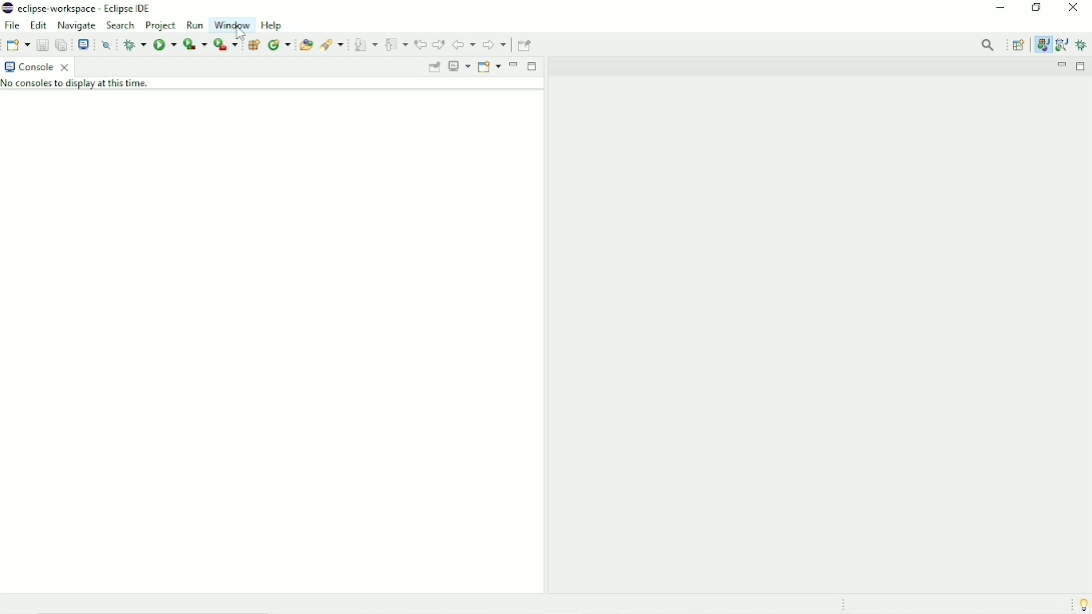  Describe the element at coordinates (396, 44) in the screenshot. I see `Previous Annotation` at that location.